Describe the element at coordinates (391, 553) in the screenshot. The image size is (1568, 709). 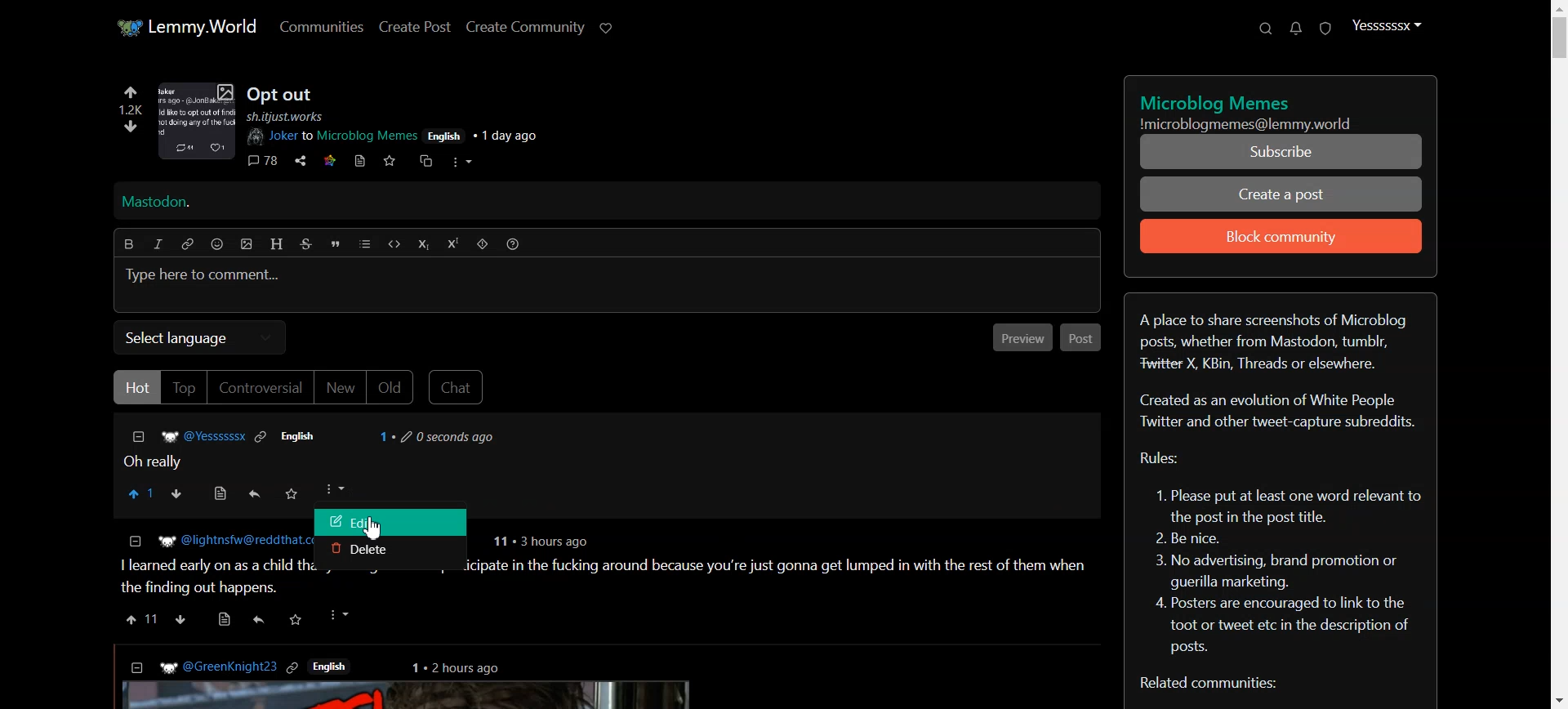
I see `Delete` at that location.